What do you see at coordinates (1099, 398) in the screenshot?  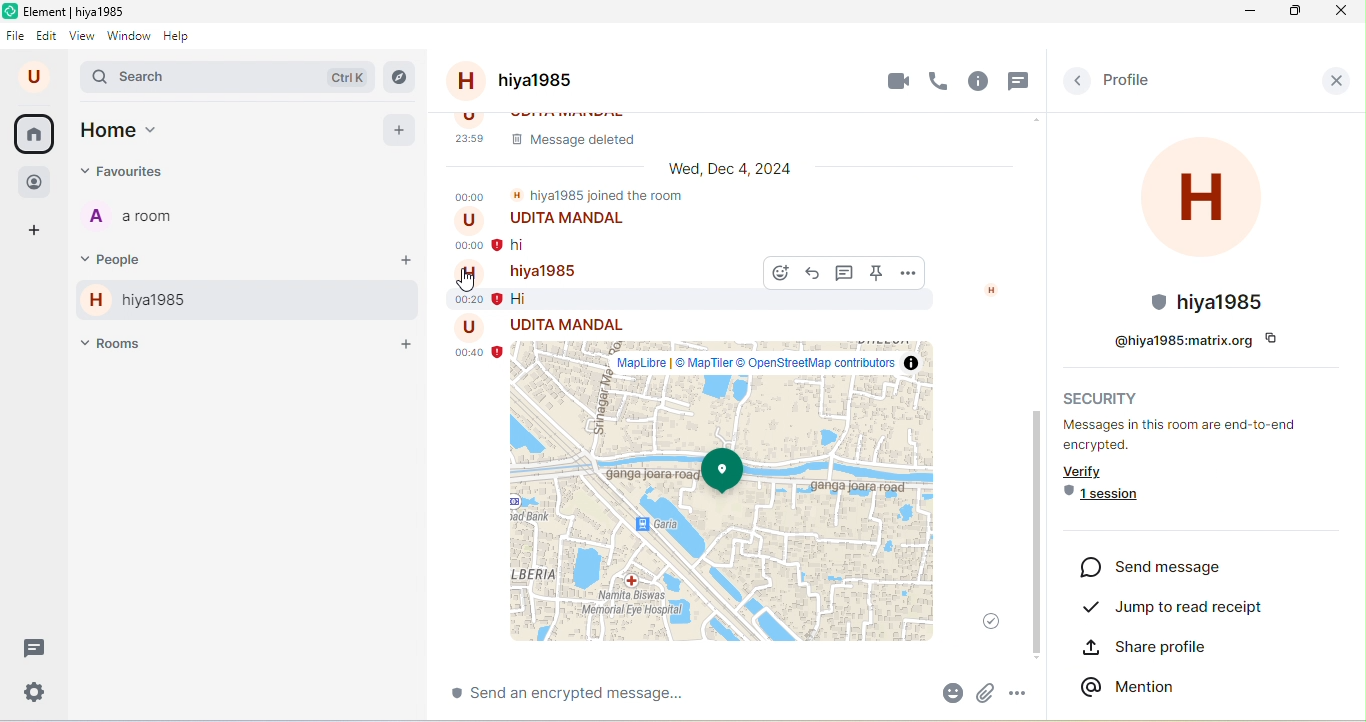 I see `SECURITY` at bounding box center [1099, 398].